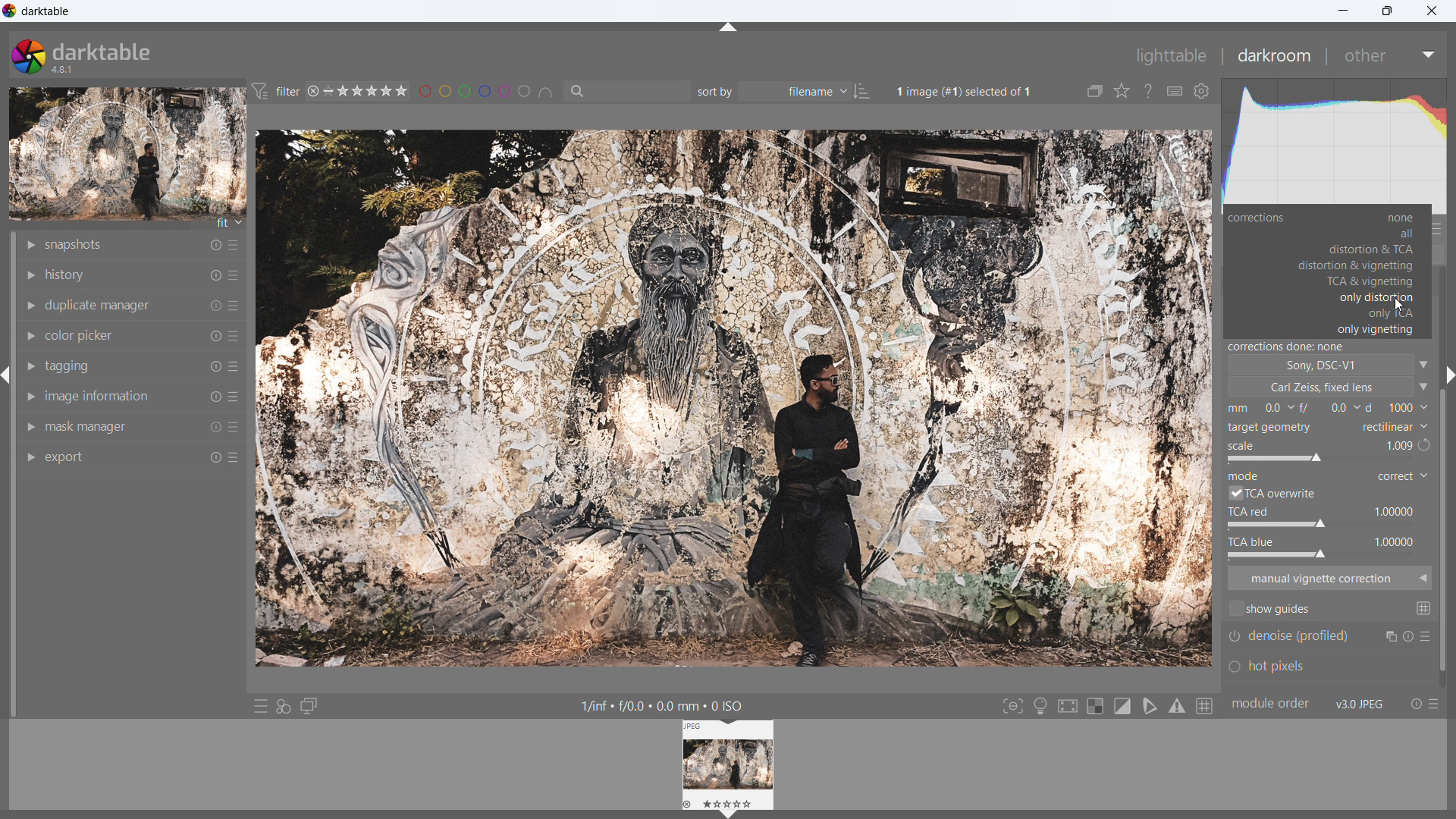  What do you see at coordinates (732, 397) in the screenshot?
I see `image` at bounding box center [732, 397].